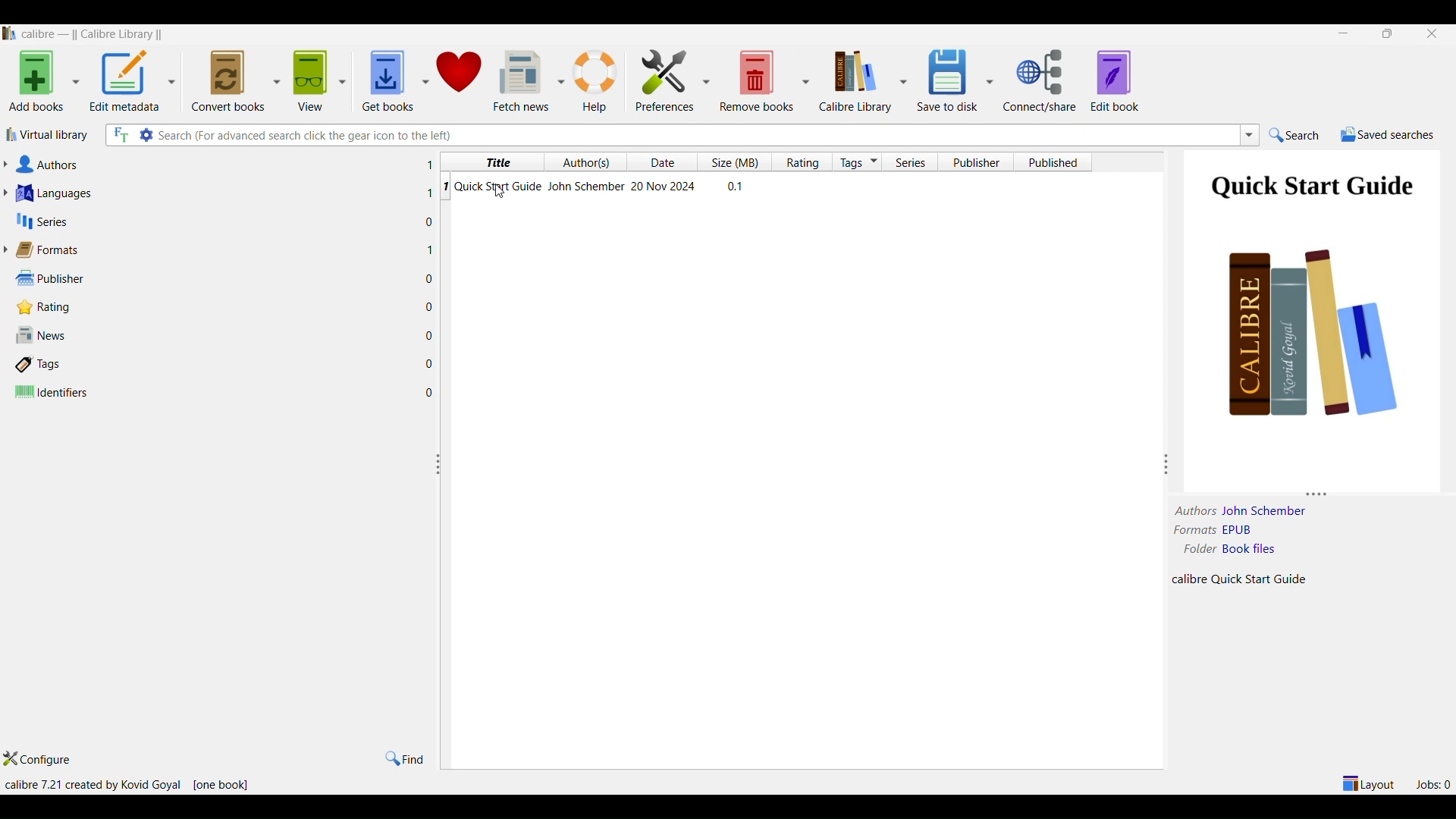 Image resolution: width=1456 pixels, height=819 pixels. Describe the element at coordinates (174, 80) in the screenshot. I see `edit metadata options dropdown button` at that location.